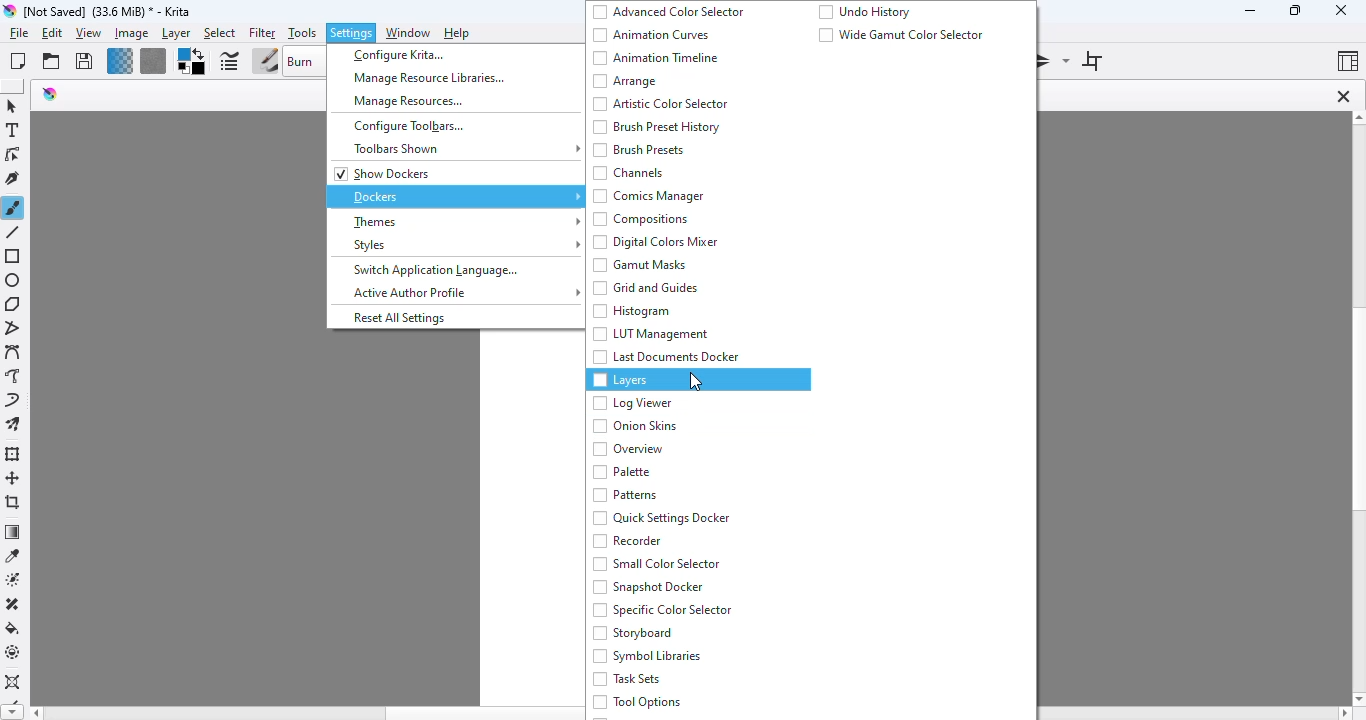  What do you see at coordinates (657, 58) in the screenshot?
I see `animation timeline` at bounding box center [657, 58].